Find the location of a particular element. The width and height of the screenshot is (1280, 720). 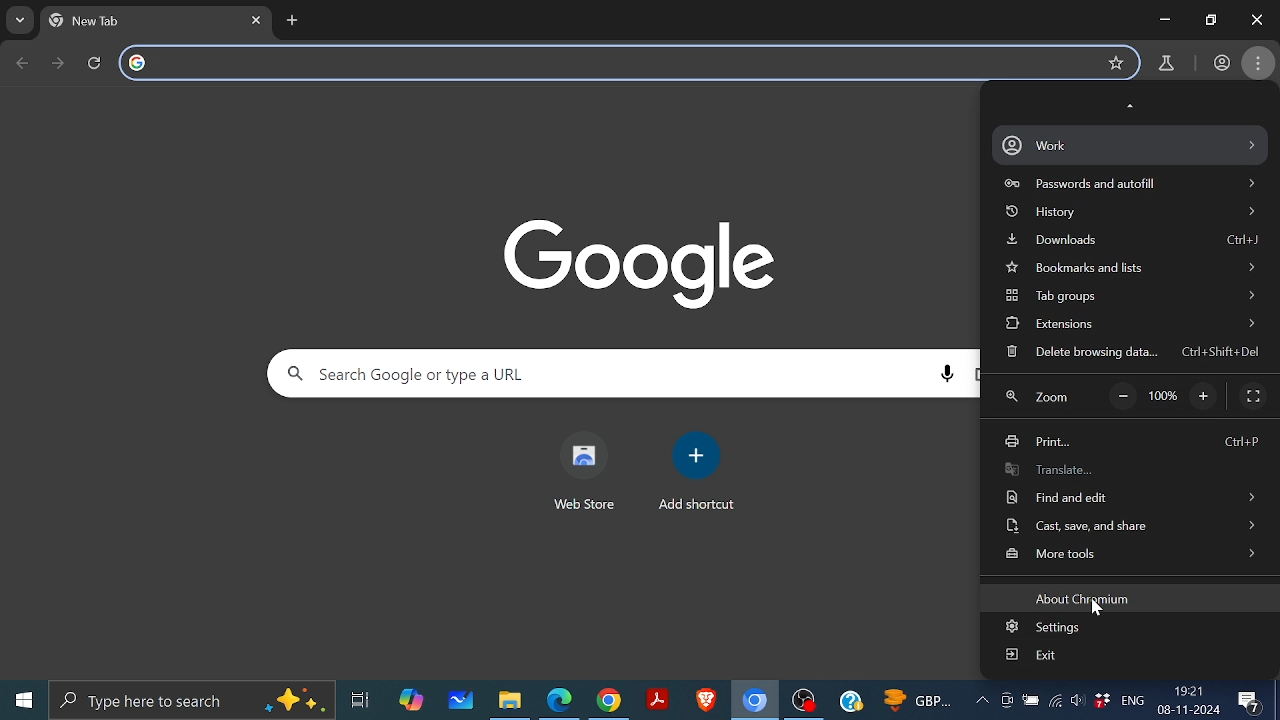

Extensions is located at coordinates (1126, 322).